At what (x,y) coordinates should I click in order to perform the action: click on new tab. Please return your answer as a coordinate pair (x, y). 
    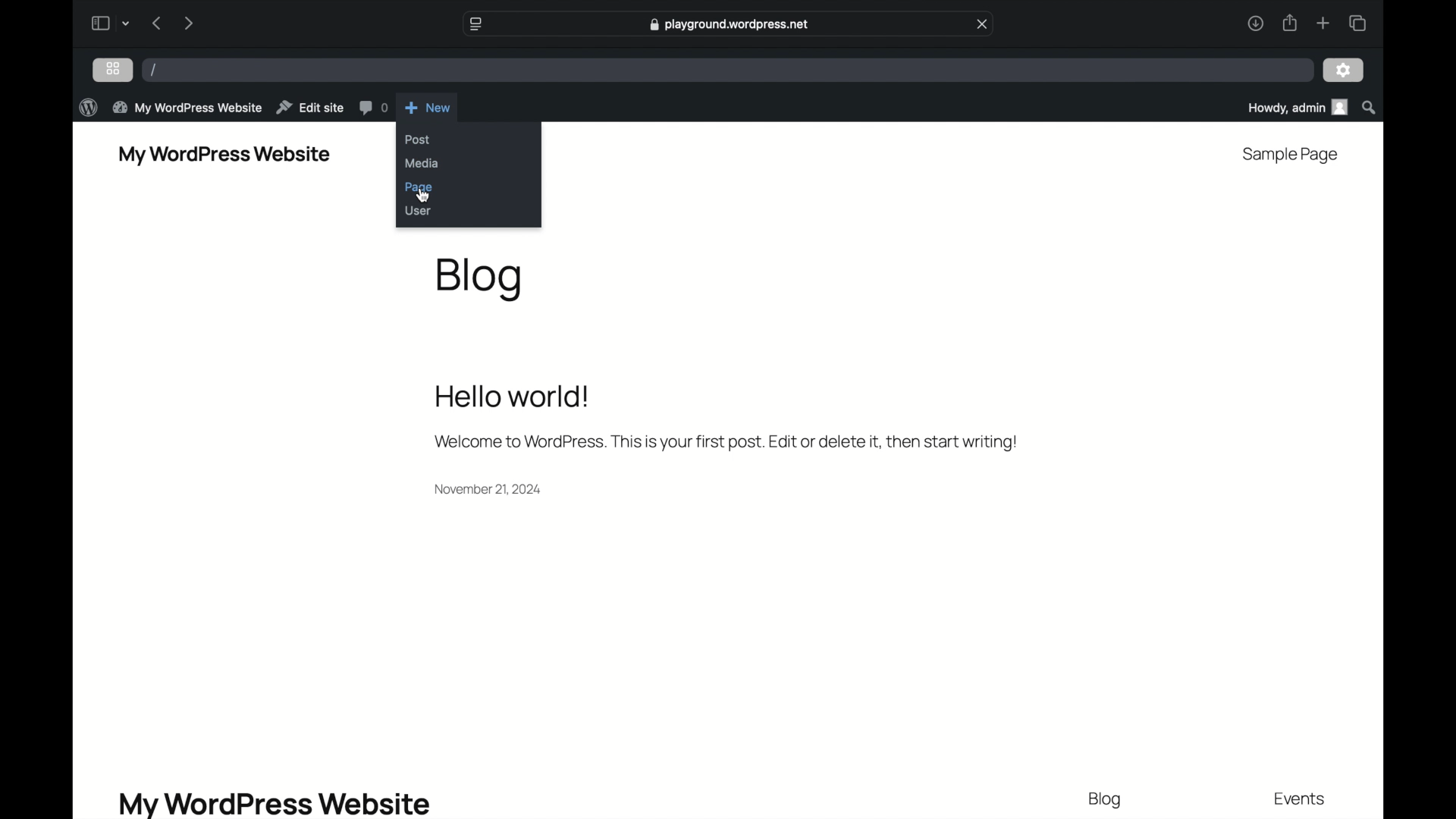
    Looking at the image, I should click on (1323, 23).